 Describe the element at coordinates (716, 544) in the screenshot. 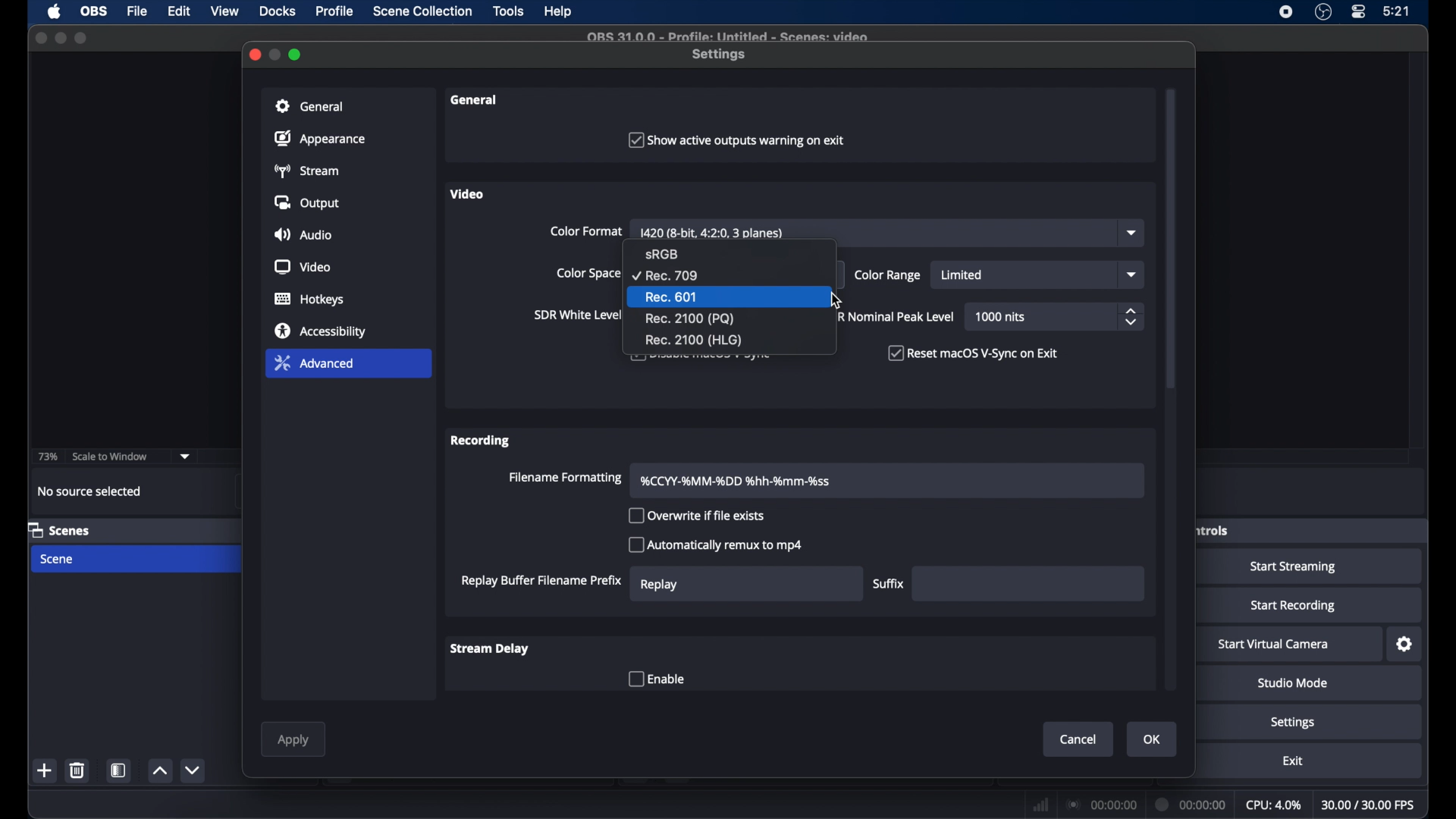

I see `automatically remux to mp4` at that location.